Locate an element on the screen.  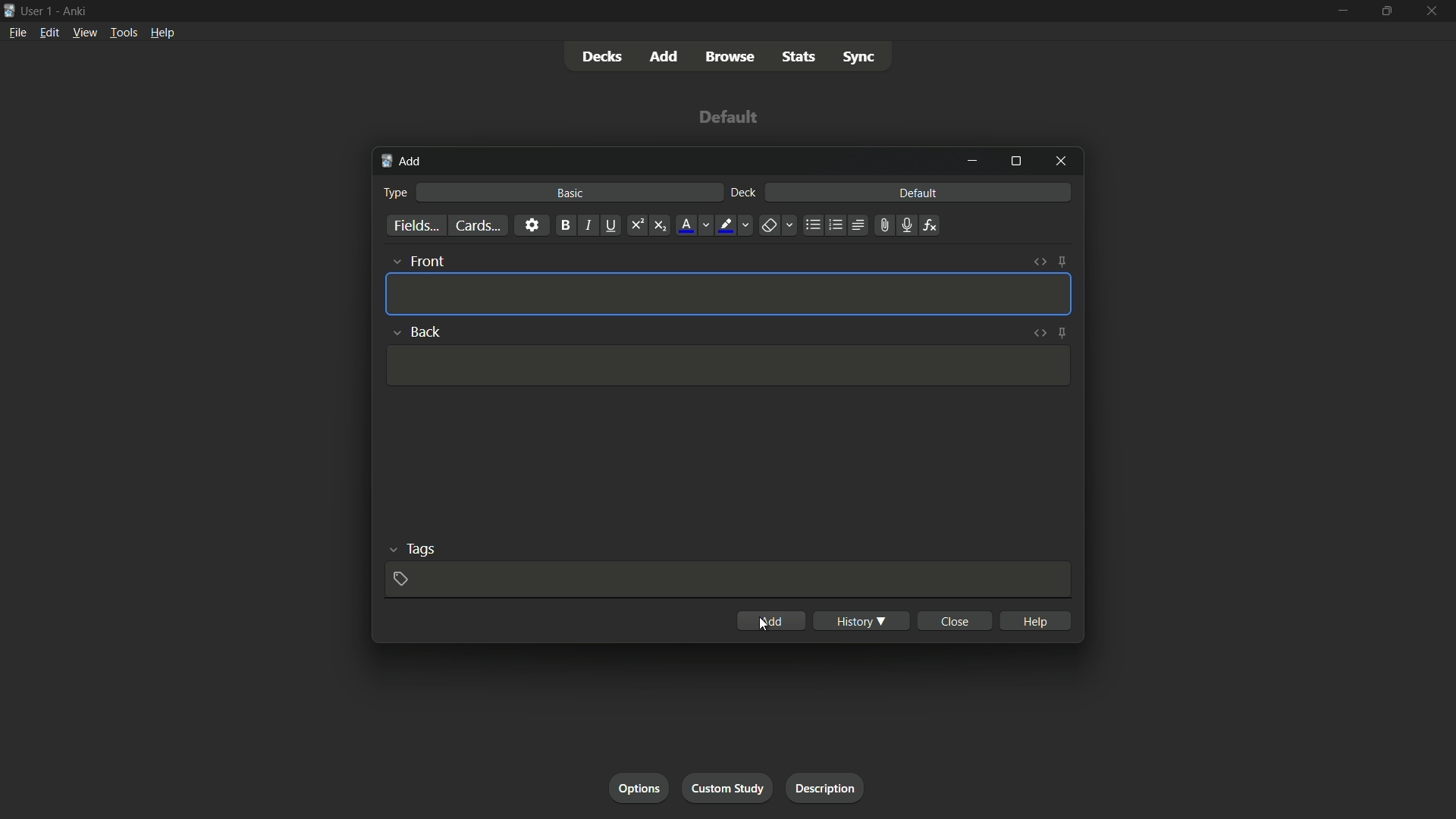
tools is located at coordinates (122, 34).